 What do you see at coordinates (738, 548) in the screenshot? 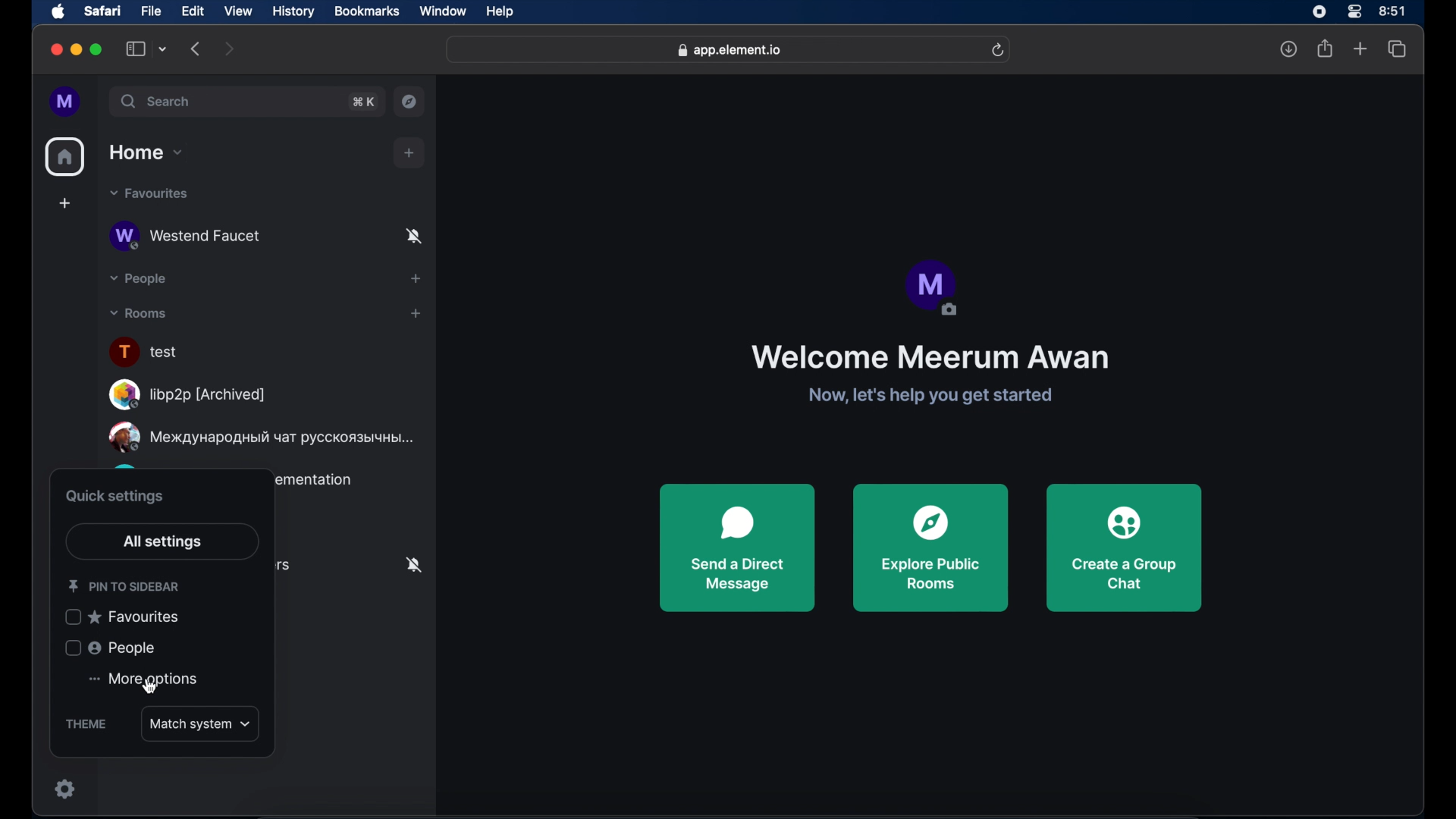
I see `send a direct message` at bounding box center [738, 548].